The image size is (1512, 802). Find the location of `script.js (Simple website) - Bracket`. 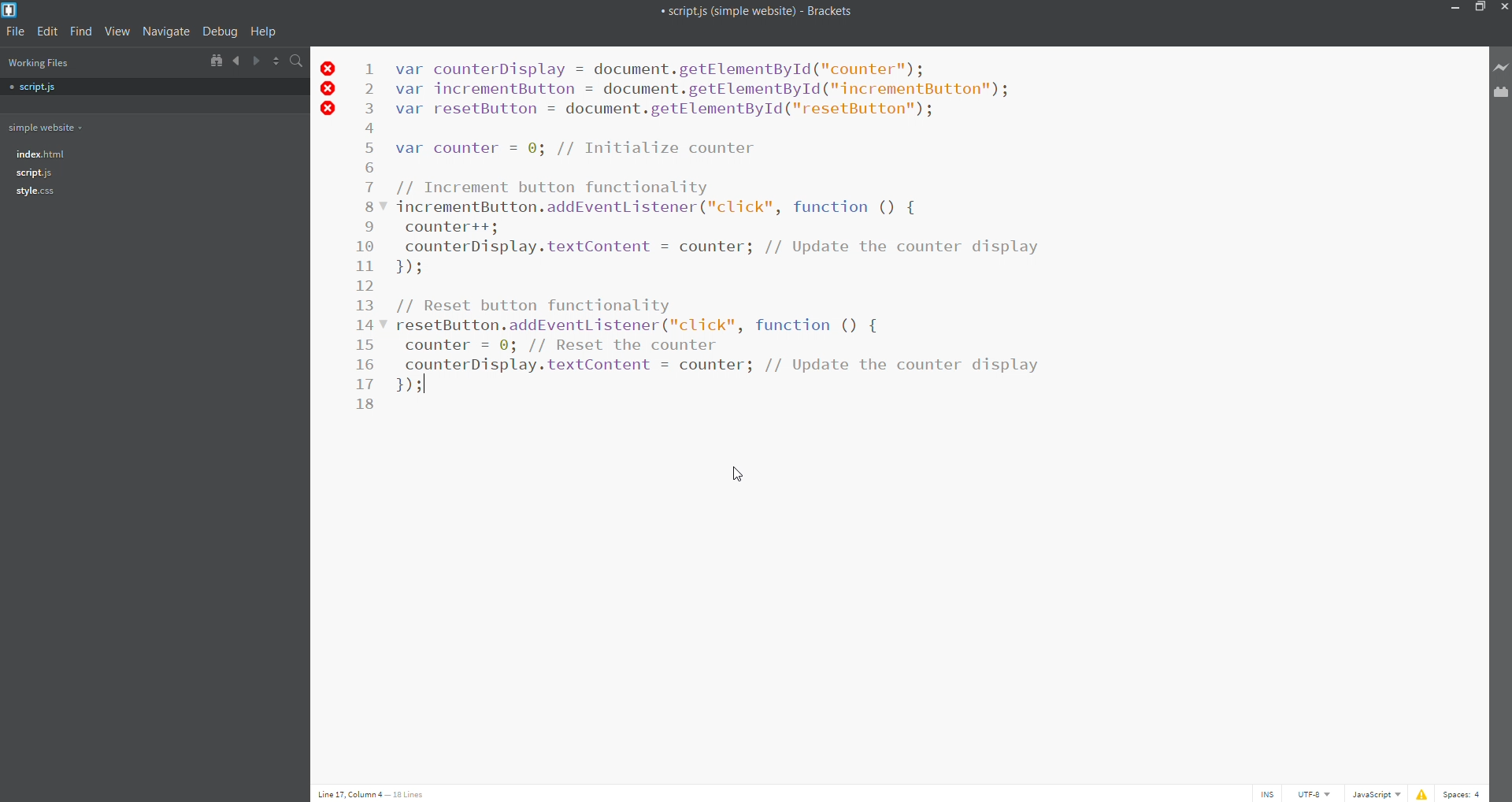

script.js (Simple website) - Bracket is located at coordinates (758, 10).